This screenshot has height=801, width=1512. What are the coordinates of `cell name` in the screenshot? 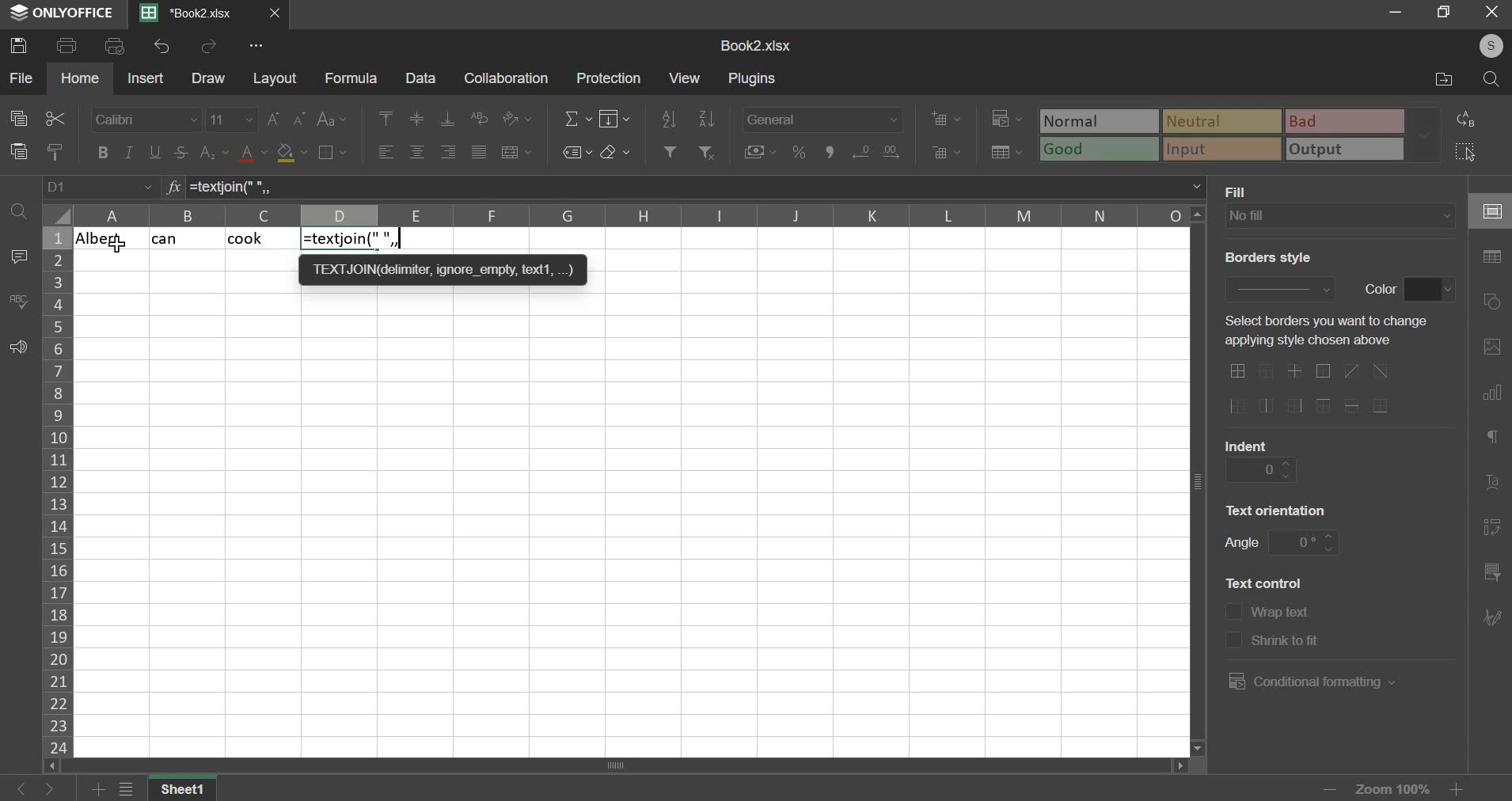 It's located at (101, 188).